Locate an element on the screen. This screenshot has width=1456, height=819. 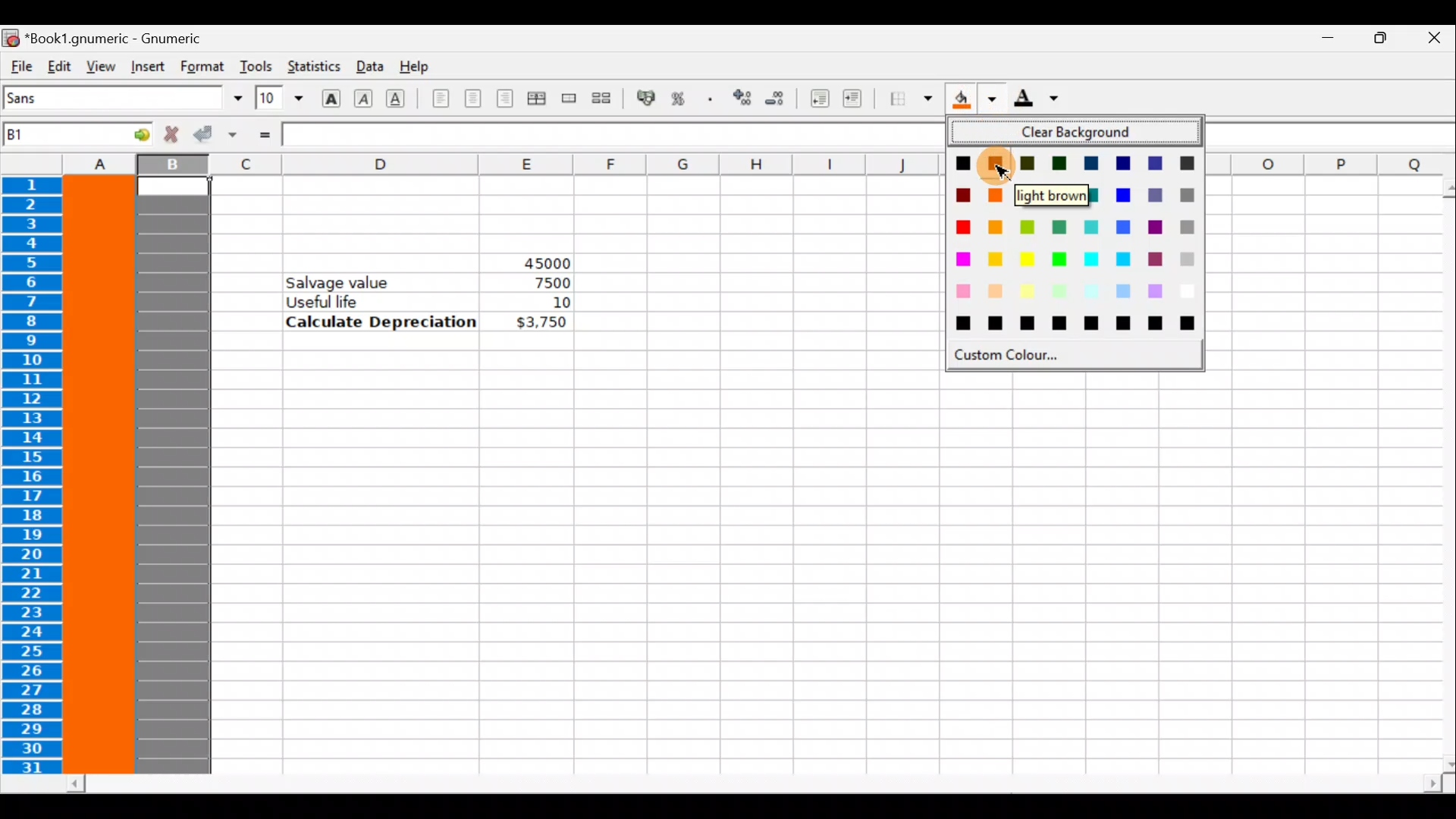
Borders is located at coordinates (911, 99).